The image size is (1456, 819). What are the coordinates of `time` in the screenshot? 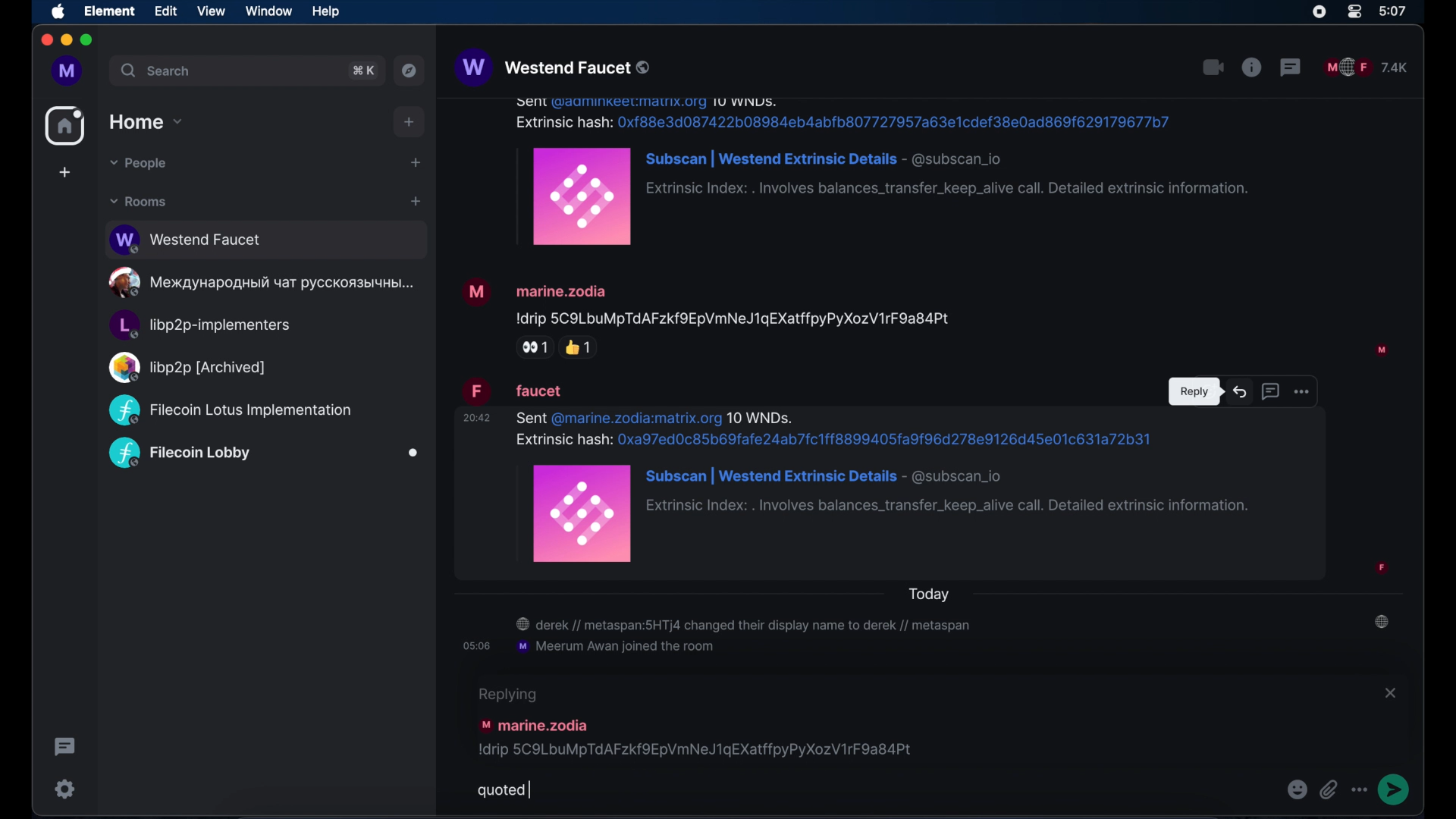 It's located at (1394, 11).